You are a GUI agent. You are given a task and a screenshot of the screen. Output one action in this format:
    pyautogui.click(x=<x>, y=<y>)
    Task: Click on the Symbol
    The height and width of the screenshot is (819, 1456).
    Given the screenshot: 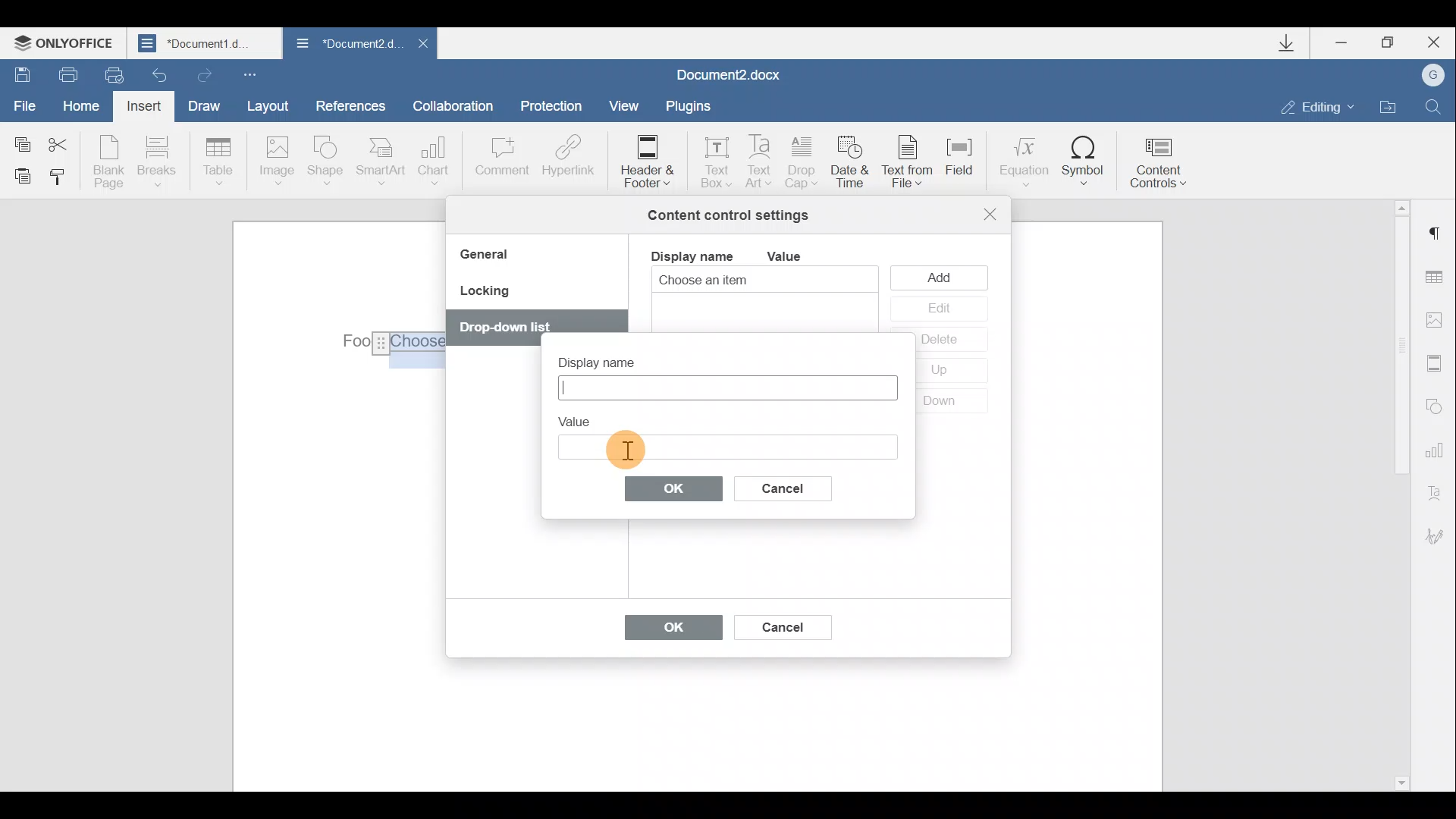 What is the action you would take?
    pyautogui.click(x=1084, y=160)
    